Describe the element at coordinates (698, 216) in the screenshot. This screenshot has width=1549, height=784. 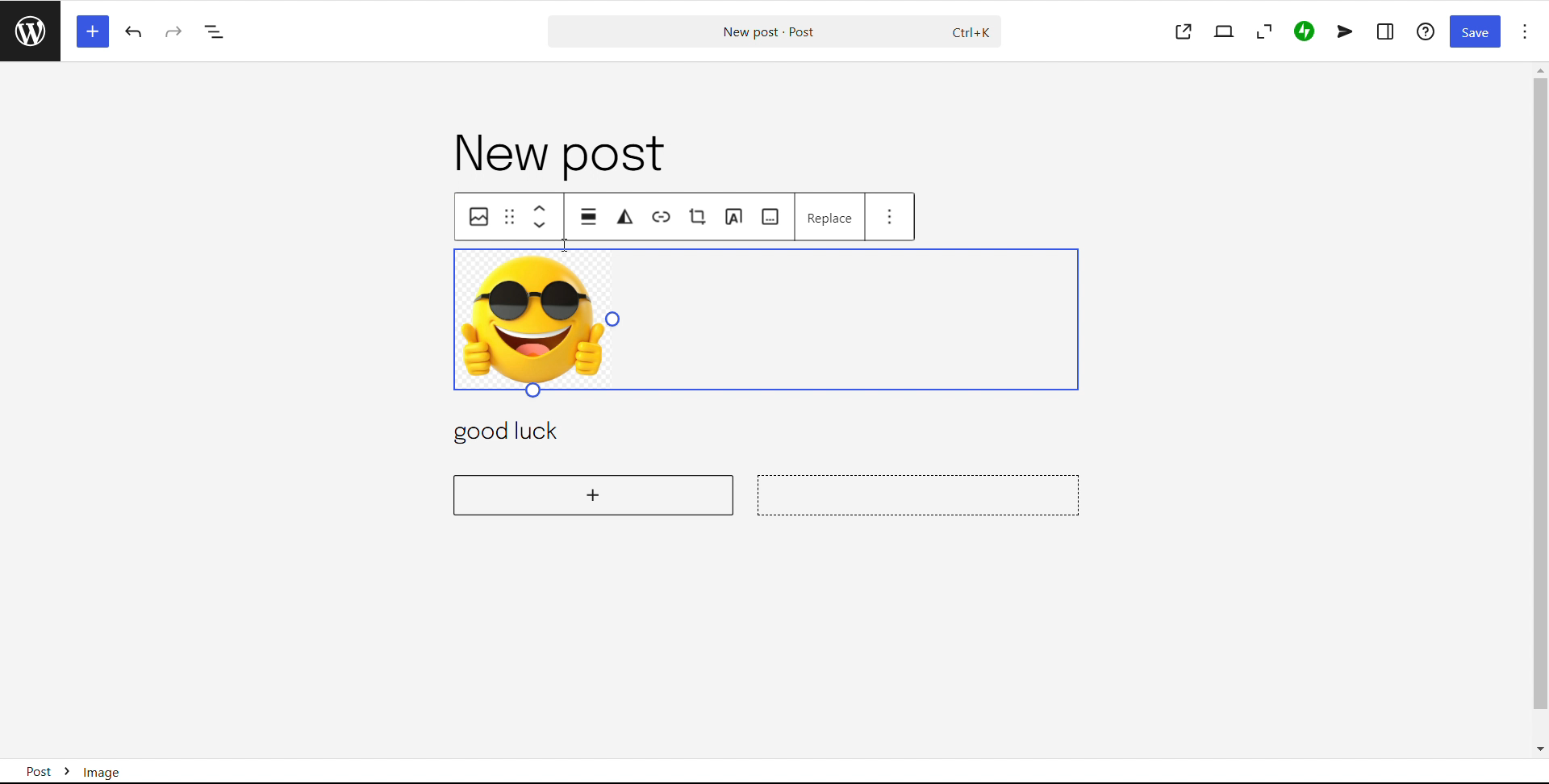
I see `crop` at that location.